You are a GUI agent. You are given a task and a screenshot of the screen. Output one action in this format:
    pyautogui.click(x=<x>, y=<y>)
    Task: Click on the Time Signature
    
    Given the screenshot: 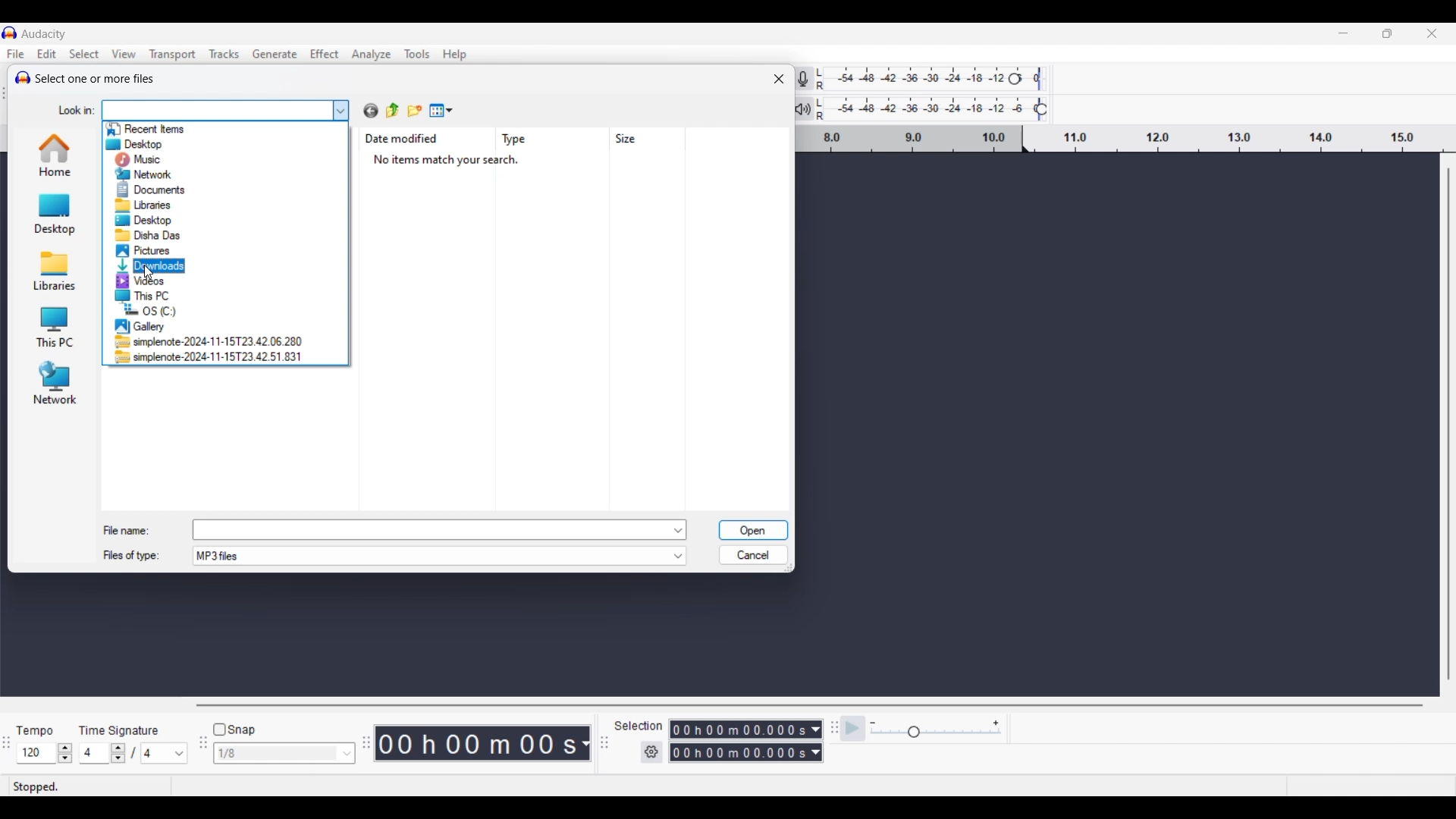 What is the action you would take?
    pyautogui.click(x=122, y=727)
    